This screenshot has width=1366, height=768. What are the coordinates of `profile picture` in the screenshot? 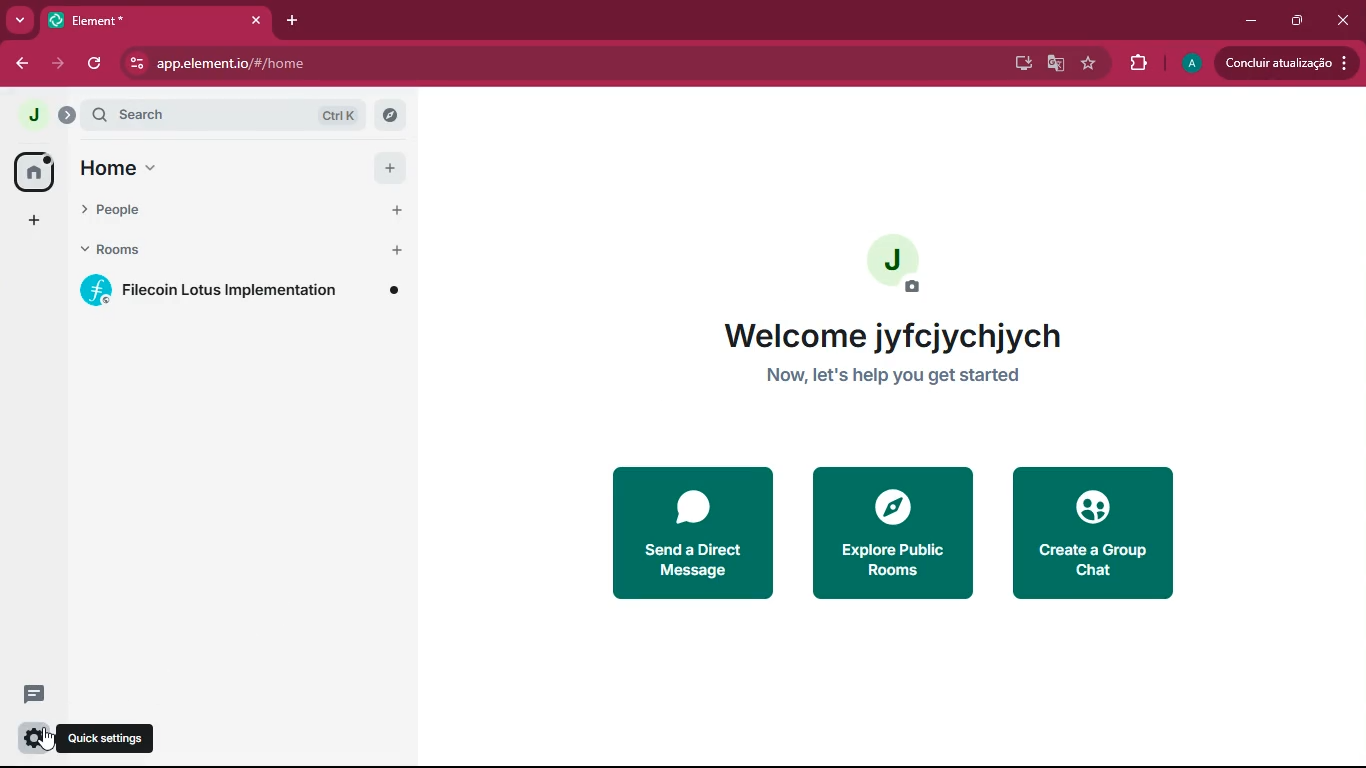 It's located at (896, 266).